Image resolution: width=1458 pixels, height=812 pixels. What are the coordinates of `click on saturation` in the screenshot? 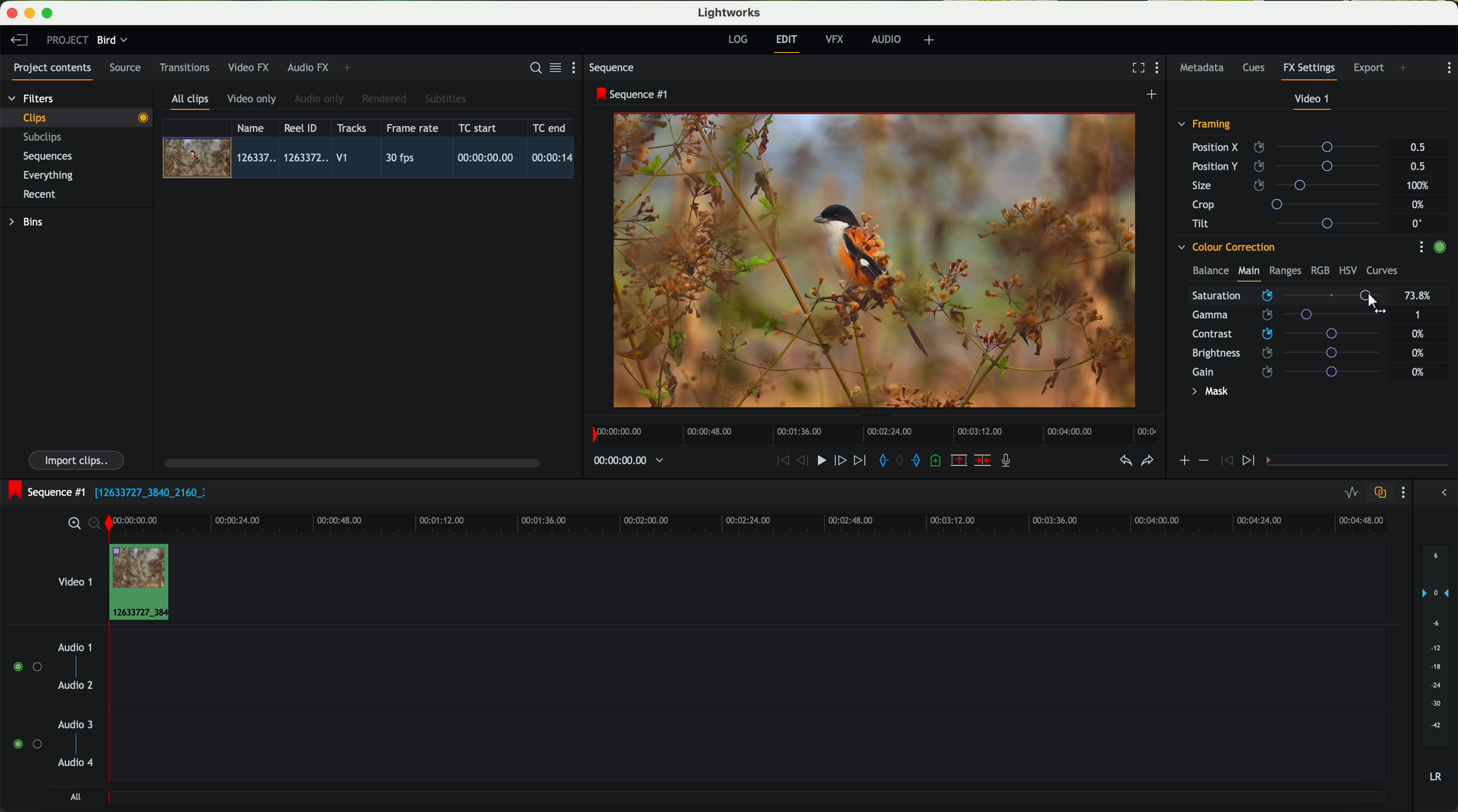 It's located at (1280, 316).